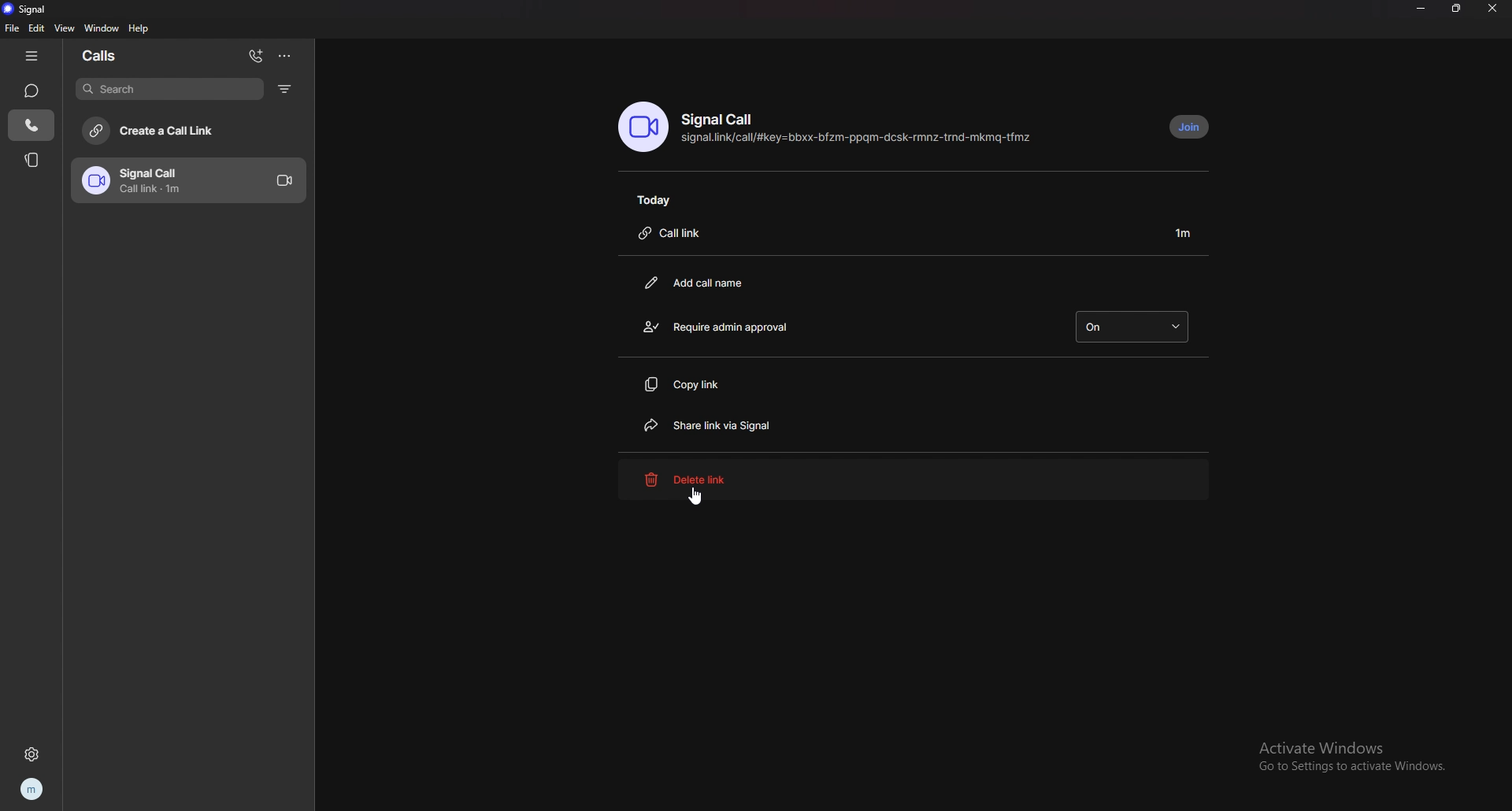 The height and width of the screenshot is (811, 1512). Describe the element at coordinates (720, 424) in the screenshot. I see `share link to signal` at that location.